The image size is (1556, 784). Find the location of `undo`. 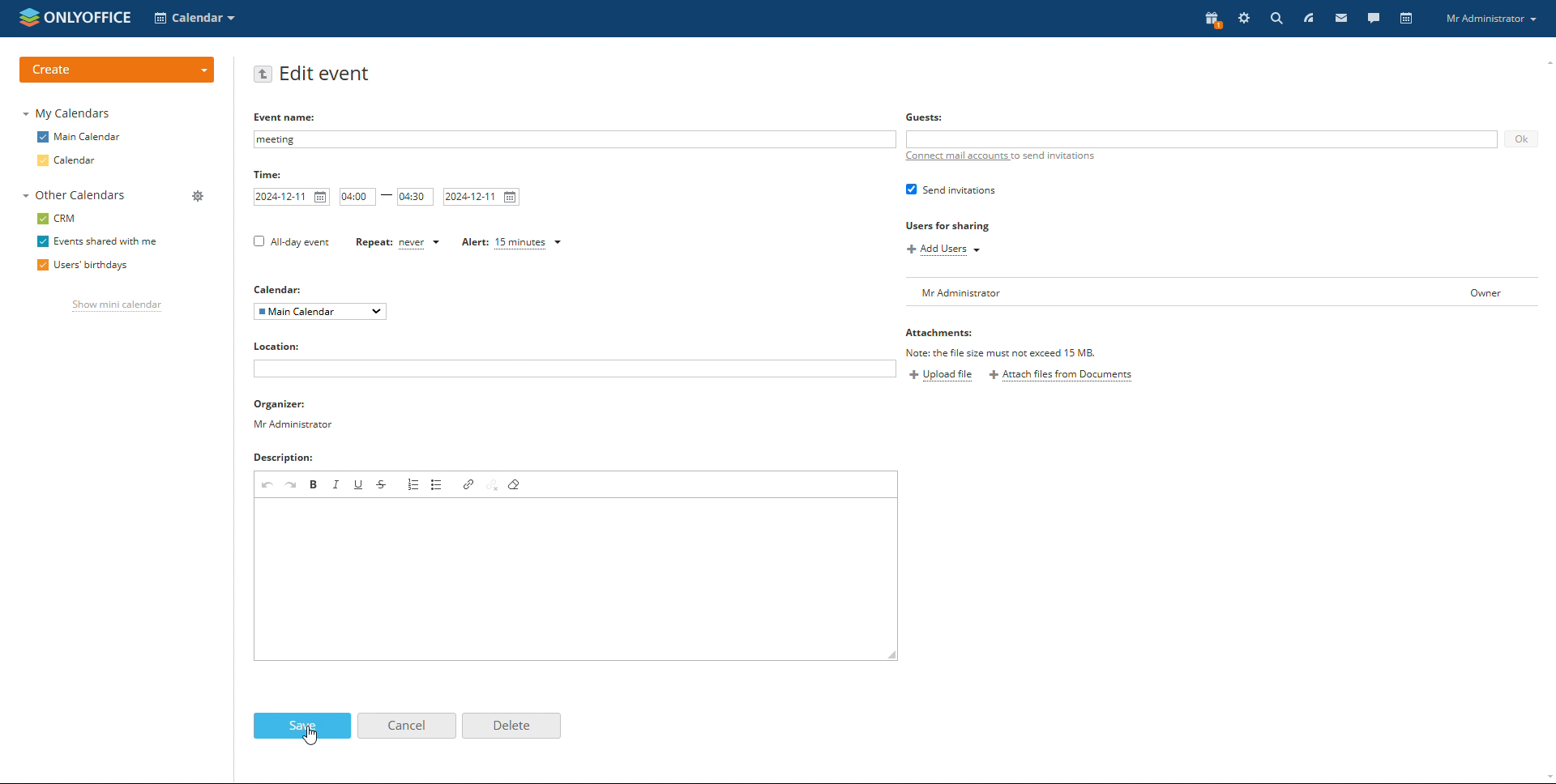

undo is located at coordinates (267, 484).